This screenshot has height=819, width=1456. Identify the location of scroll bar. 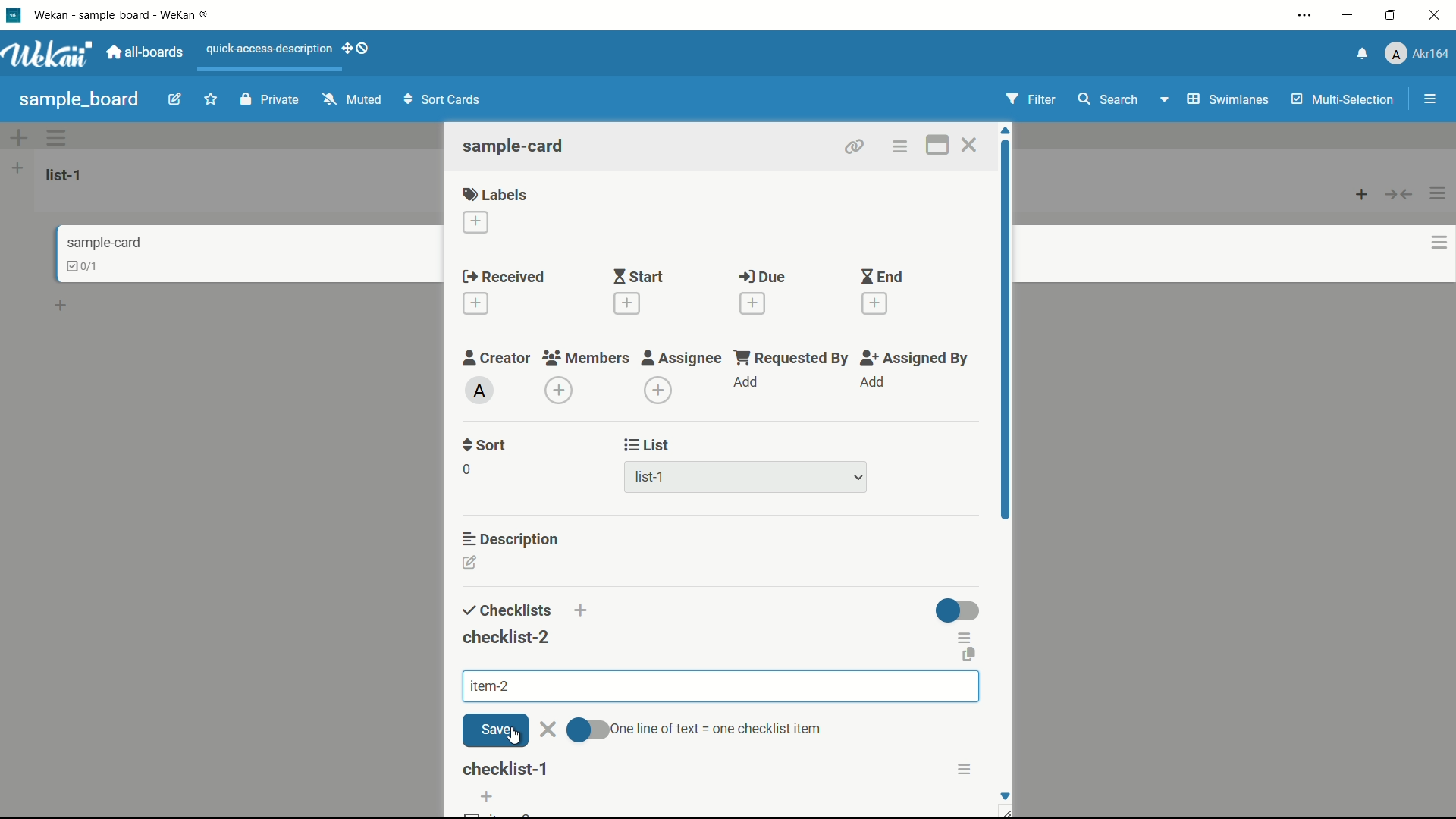
(1007, 378).